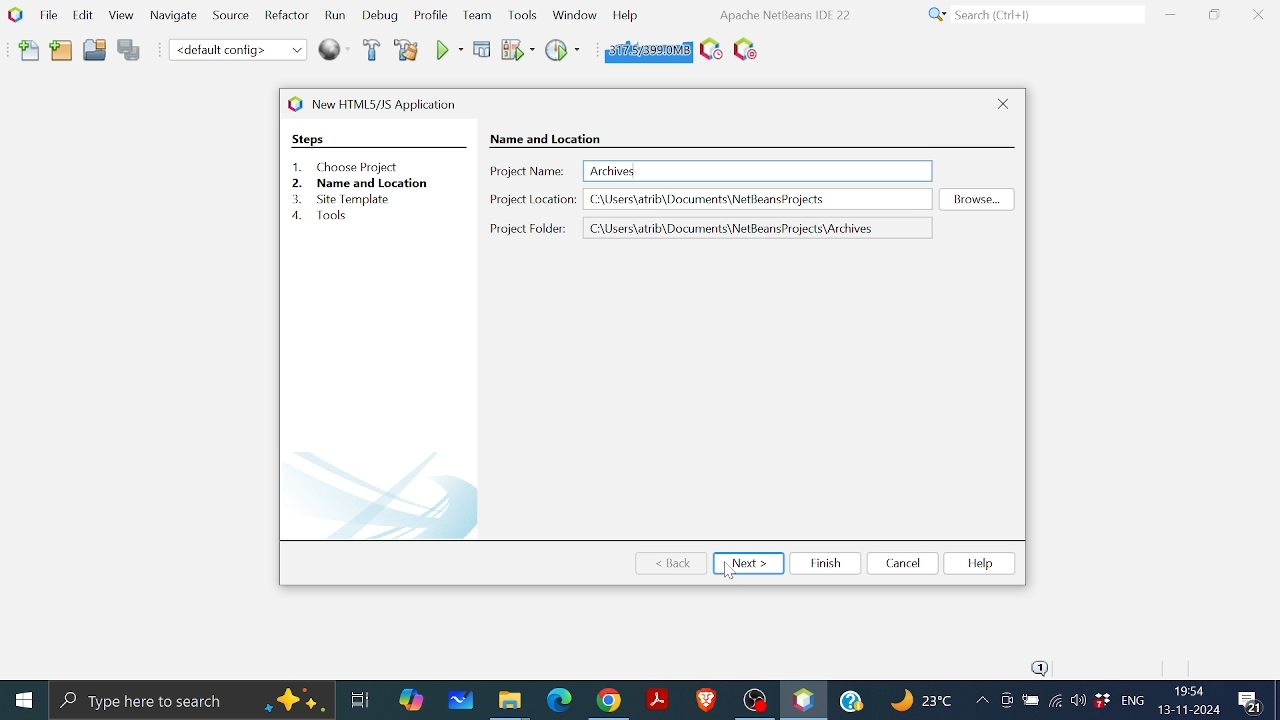  I want to click on Next, so click(748, 562).